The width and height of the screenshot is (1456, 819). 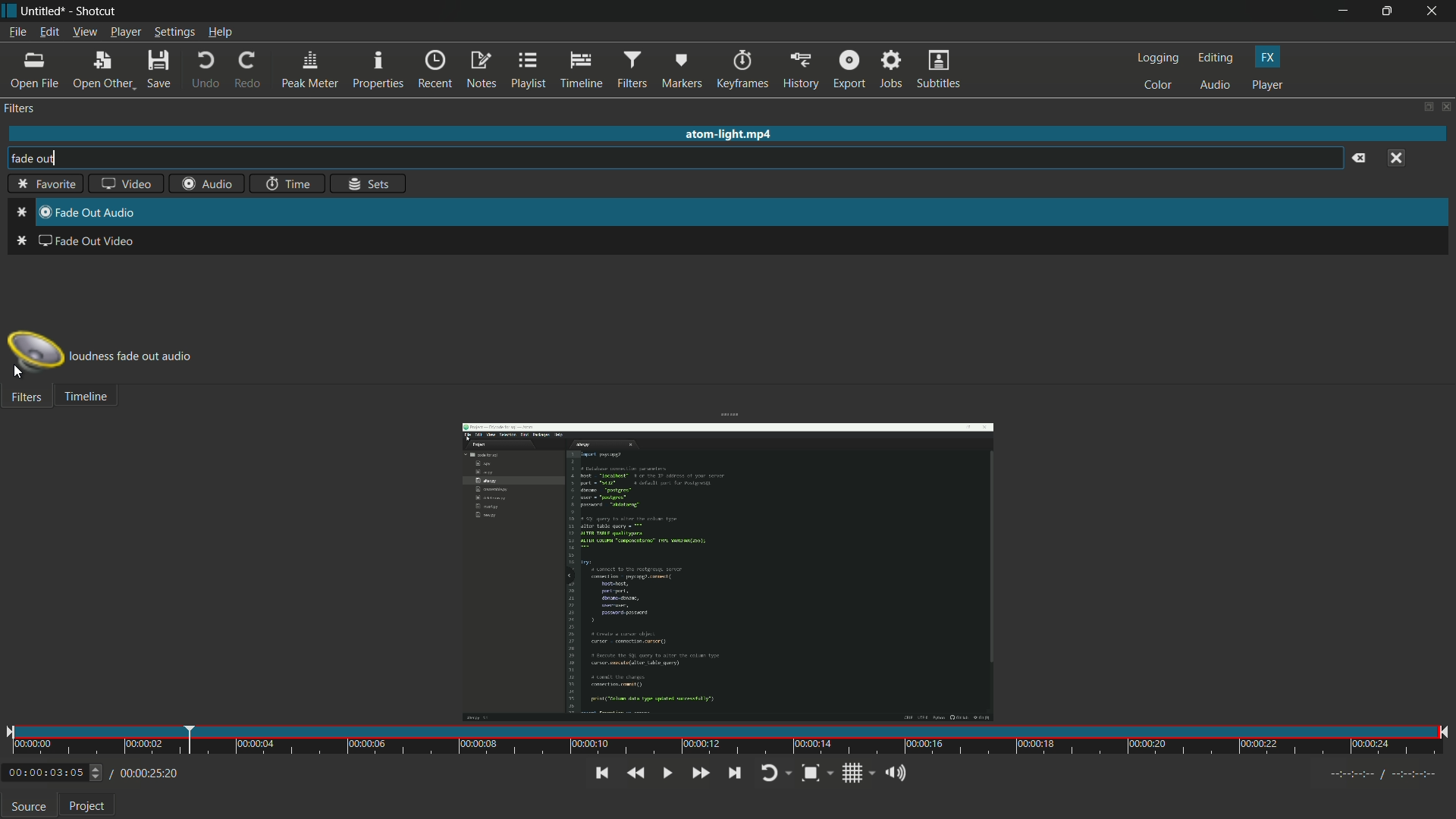 I want to click on timeline, so click(x=582, y=70).